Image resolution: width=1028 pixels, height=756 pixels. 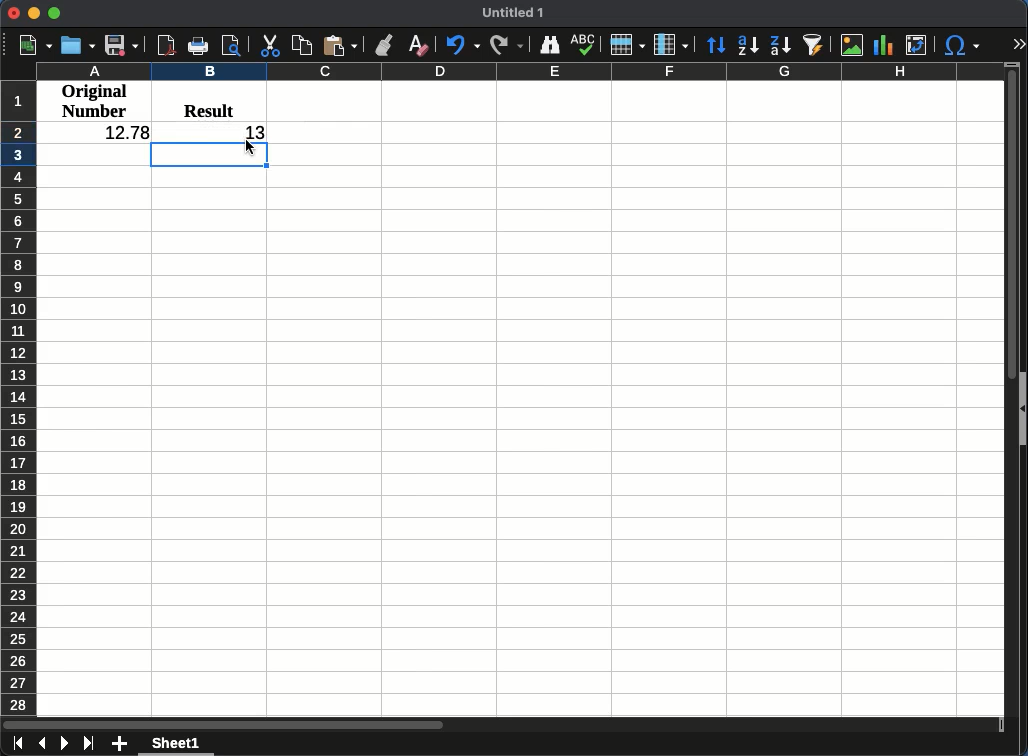 What do you see at coordinates (209, 107) in the screenshot?
I see `result` at bounding box center [209, 107].